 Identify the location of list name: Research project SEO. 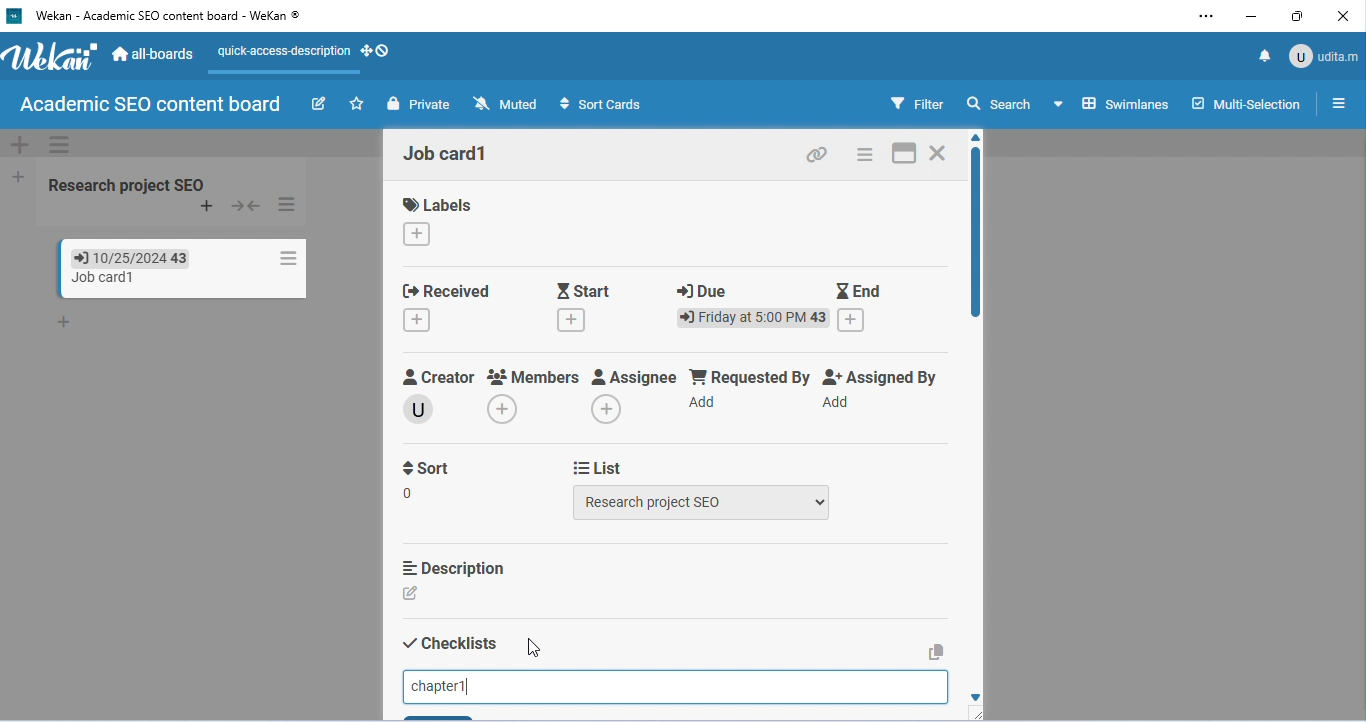
(131, 184).